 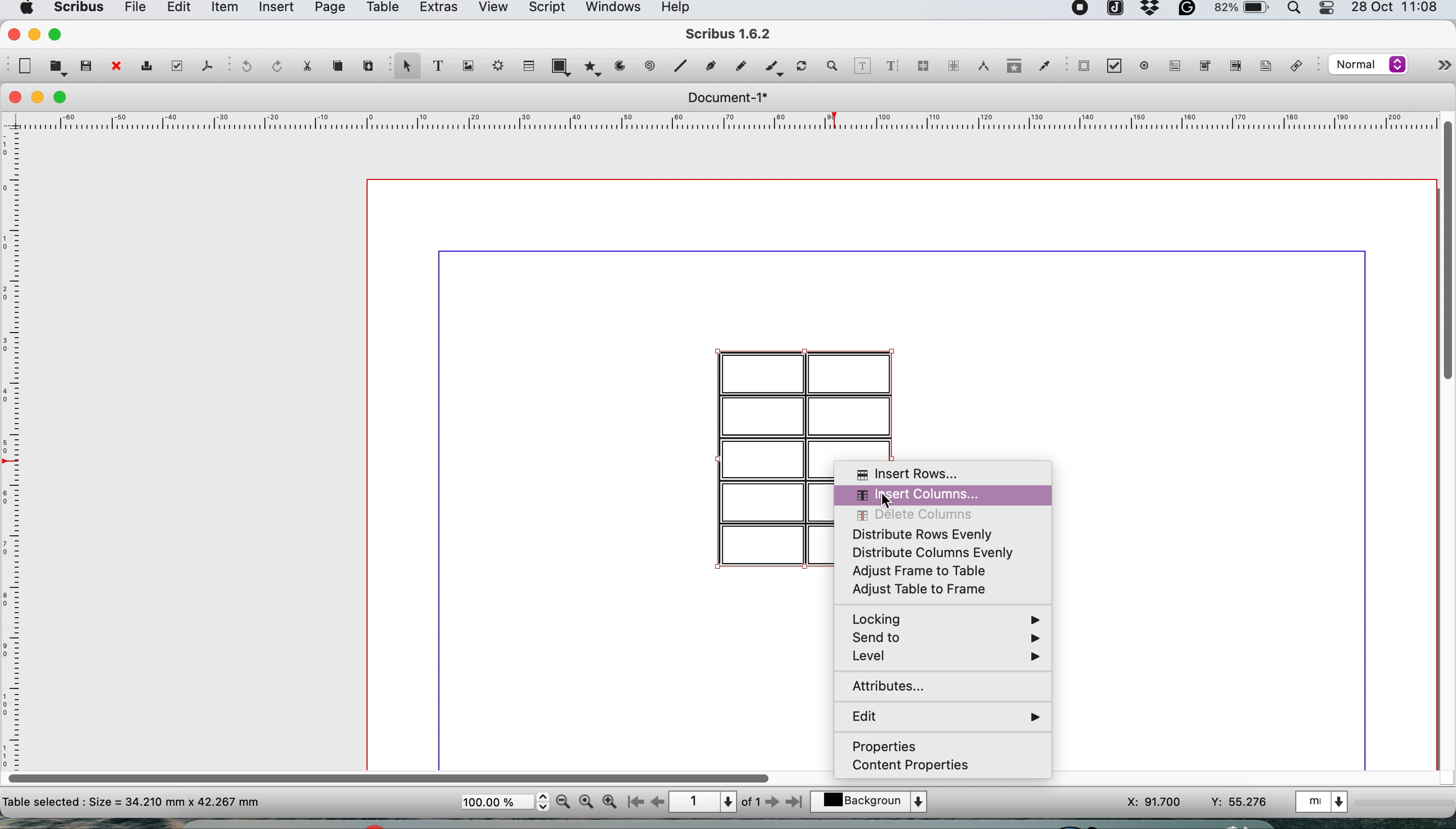 What do you see at coordinates (1044, 68) in the screenshot?
I see `eyedropper` at bounding box center [1044, 68].